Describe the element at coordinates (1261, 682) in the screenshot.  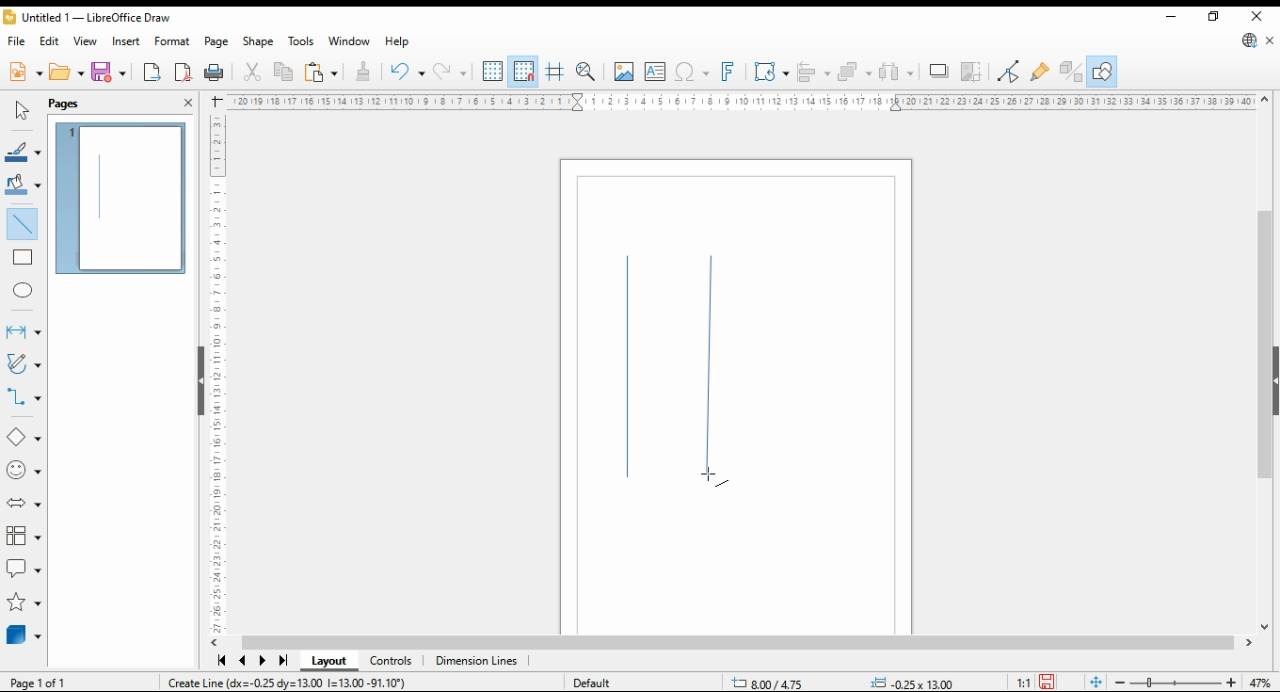
I see `zoom factor` at that location.